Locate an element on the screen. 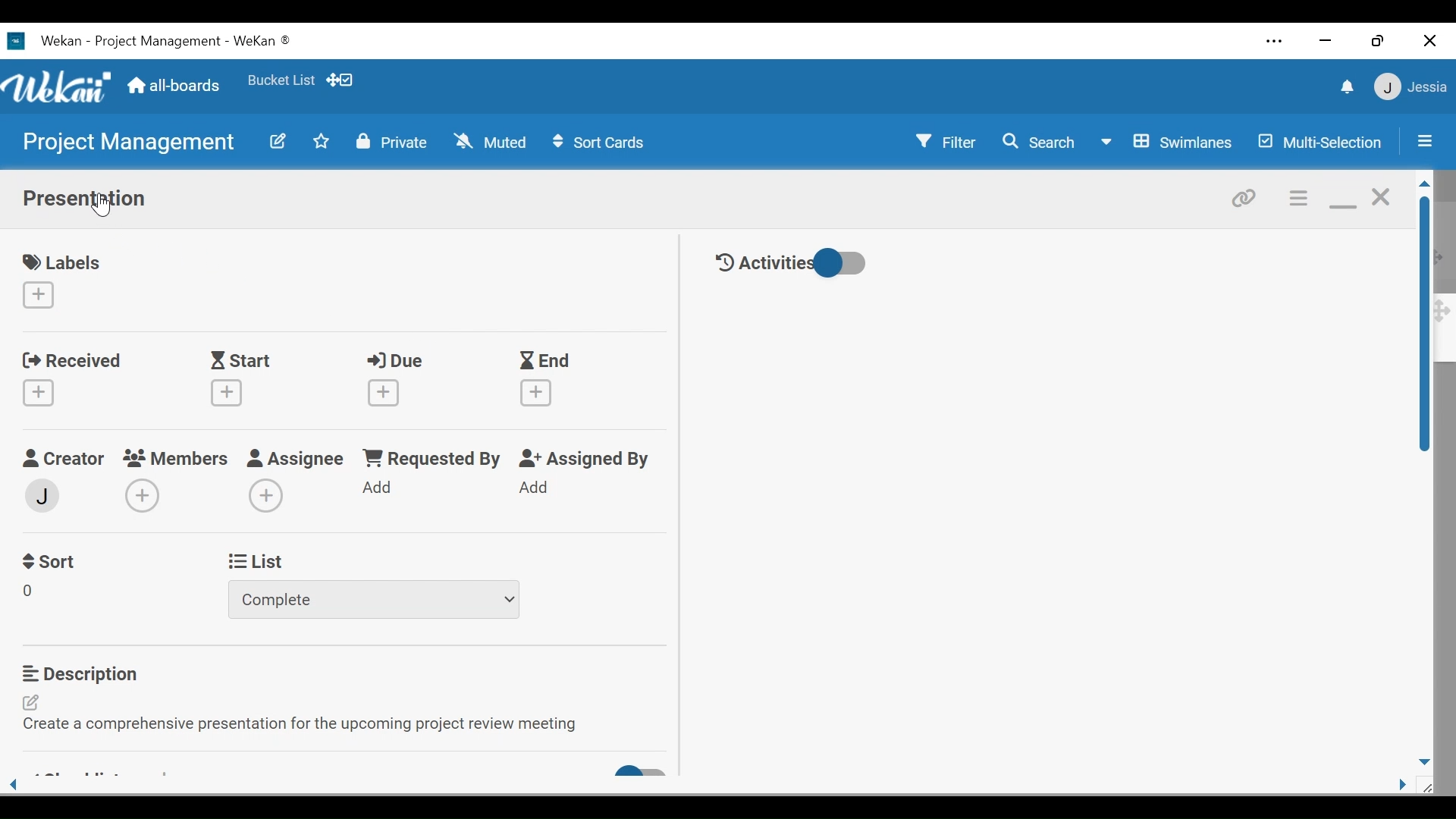 The width and height of the screenshot is (1456, 819). Restore is located at coordinates (1376, 42).